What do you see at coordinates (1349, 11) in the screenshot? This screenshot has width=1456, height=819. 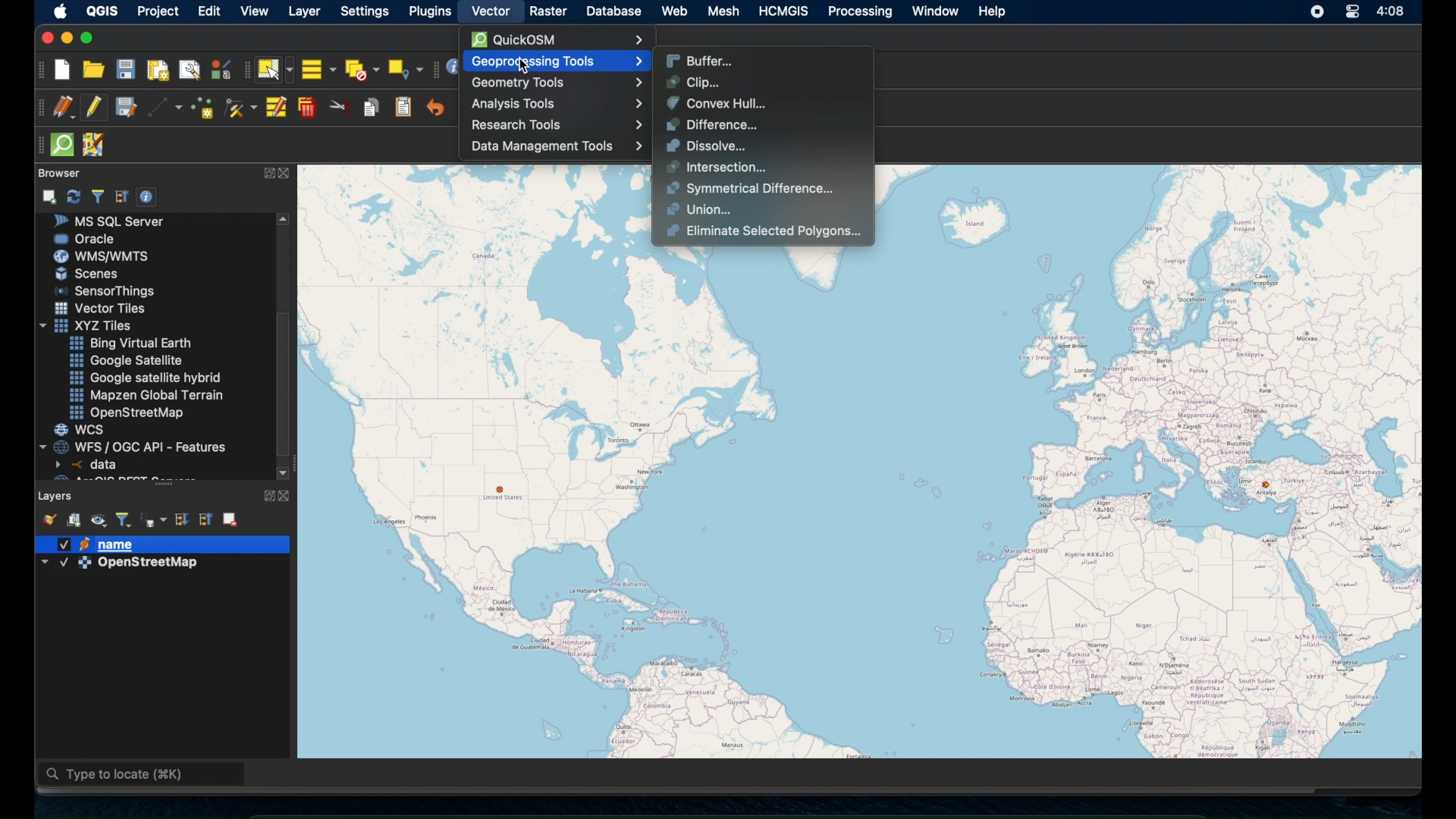 I see `control center` at bounding box center [1349, 11].